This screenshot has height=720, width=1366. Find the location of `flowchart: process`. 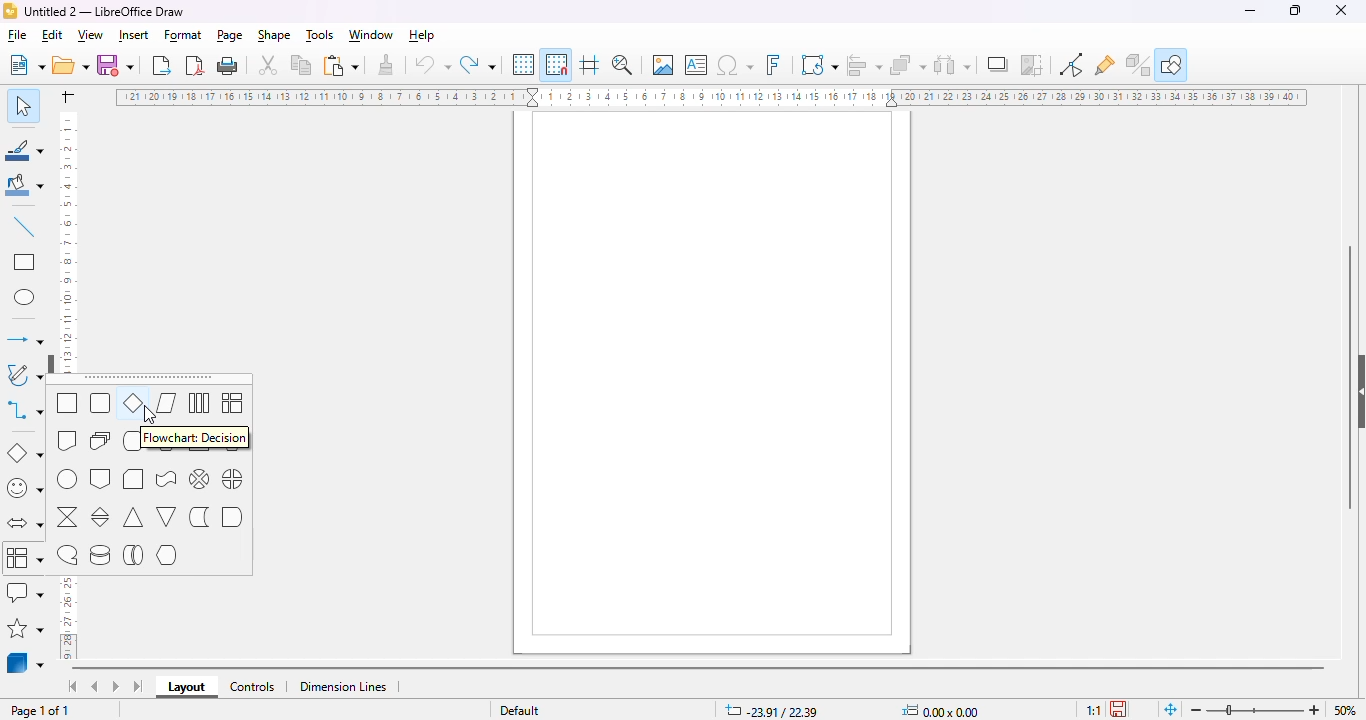

flowchart: process is located at coordinates (67, 404).